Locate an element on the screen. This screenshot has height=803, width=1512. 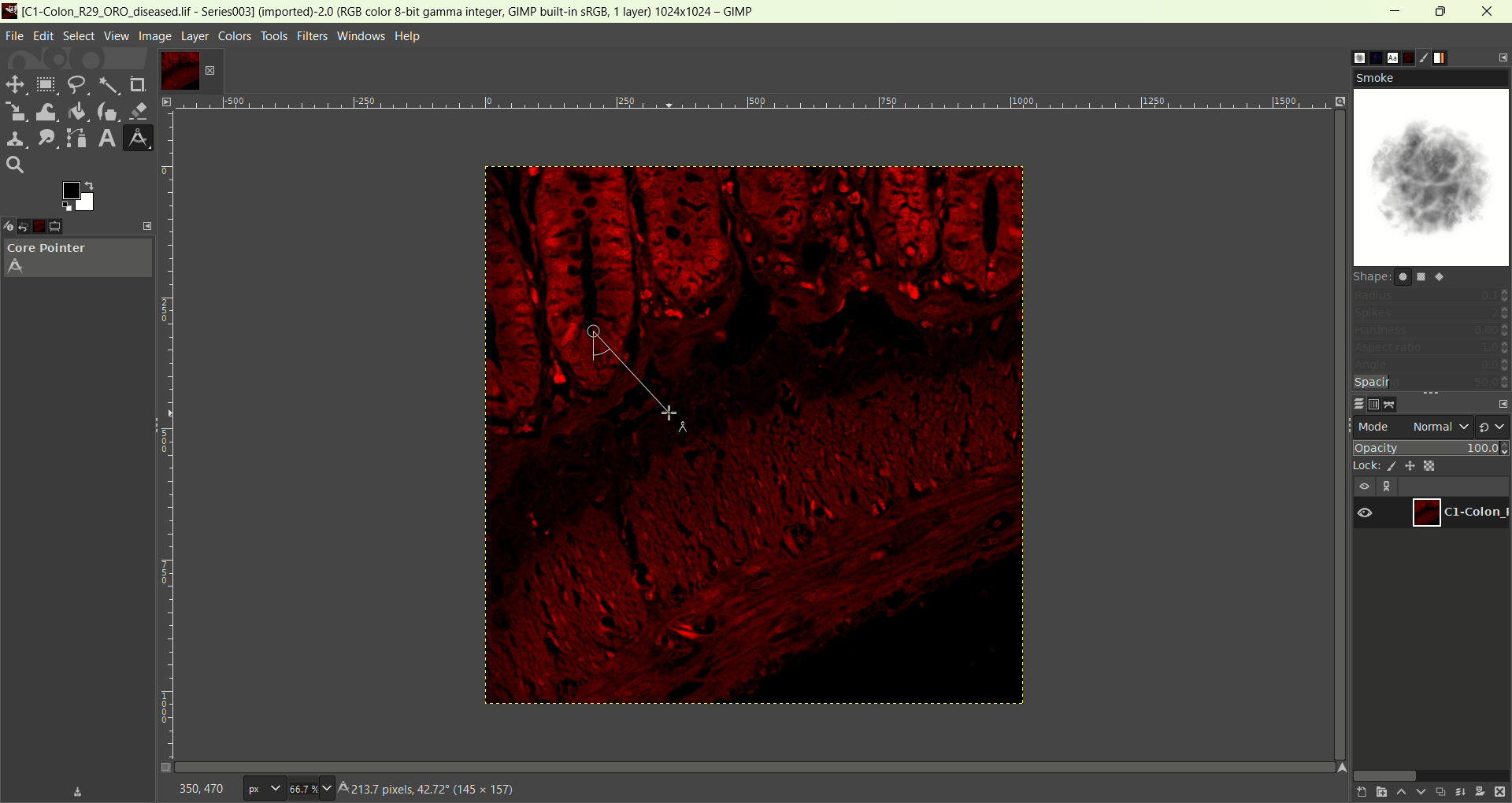
layer1 is located at coordinates (176, 70).